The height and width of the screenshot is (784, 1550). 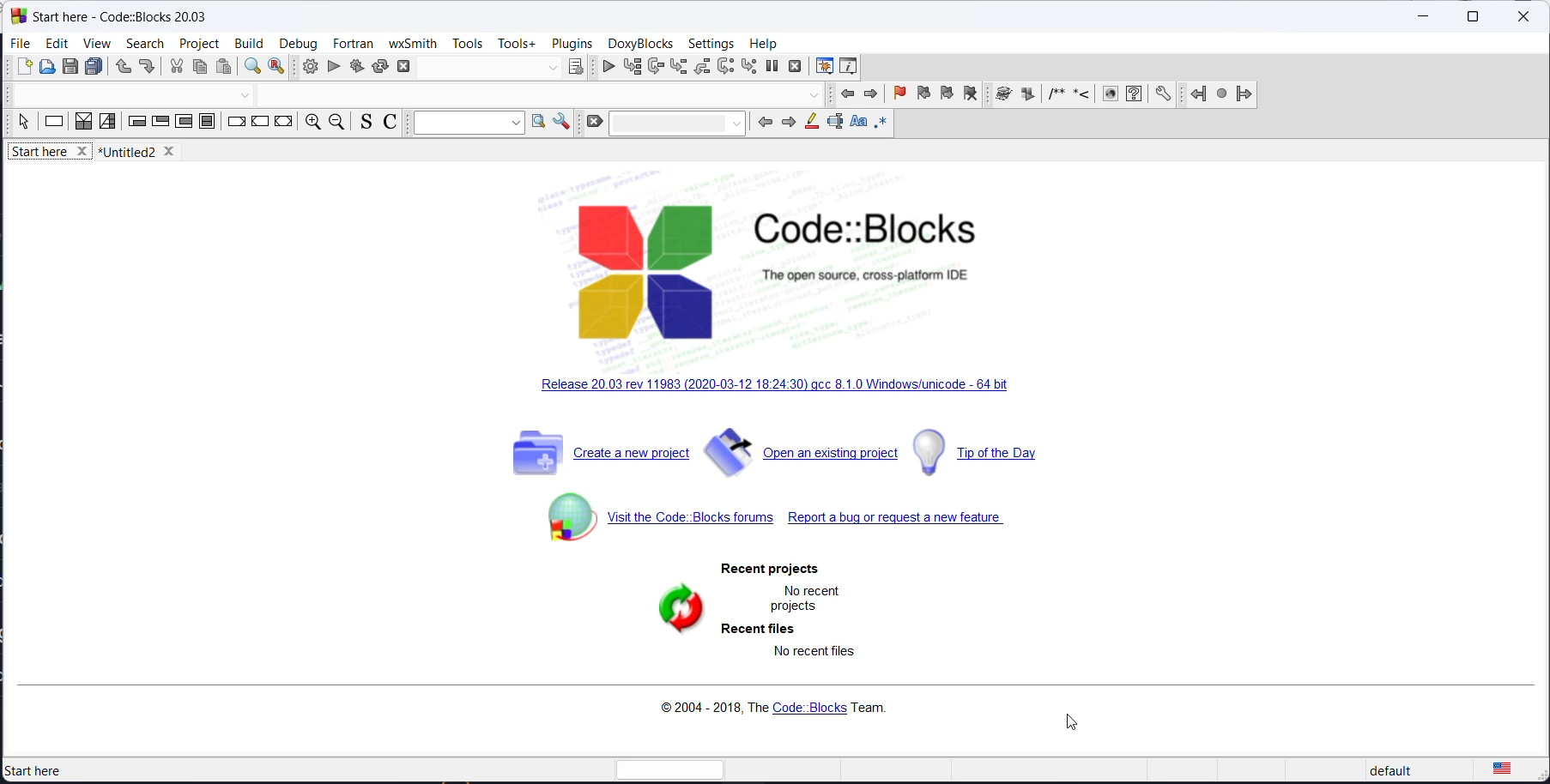 What do you see at coordinates (147, 69) in the screenshot?
I see `redo` at bounding box center [147, 69].